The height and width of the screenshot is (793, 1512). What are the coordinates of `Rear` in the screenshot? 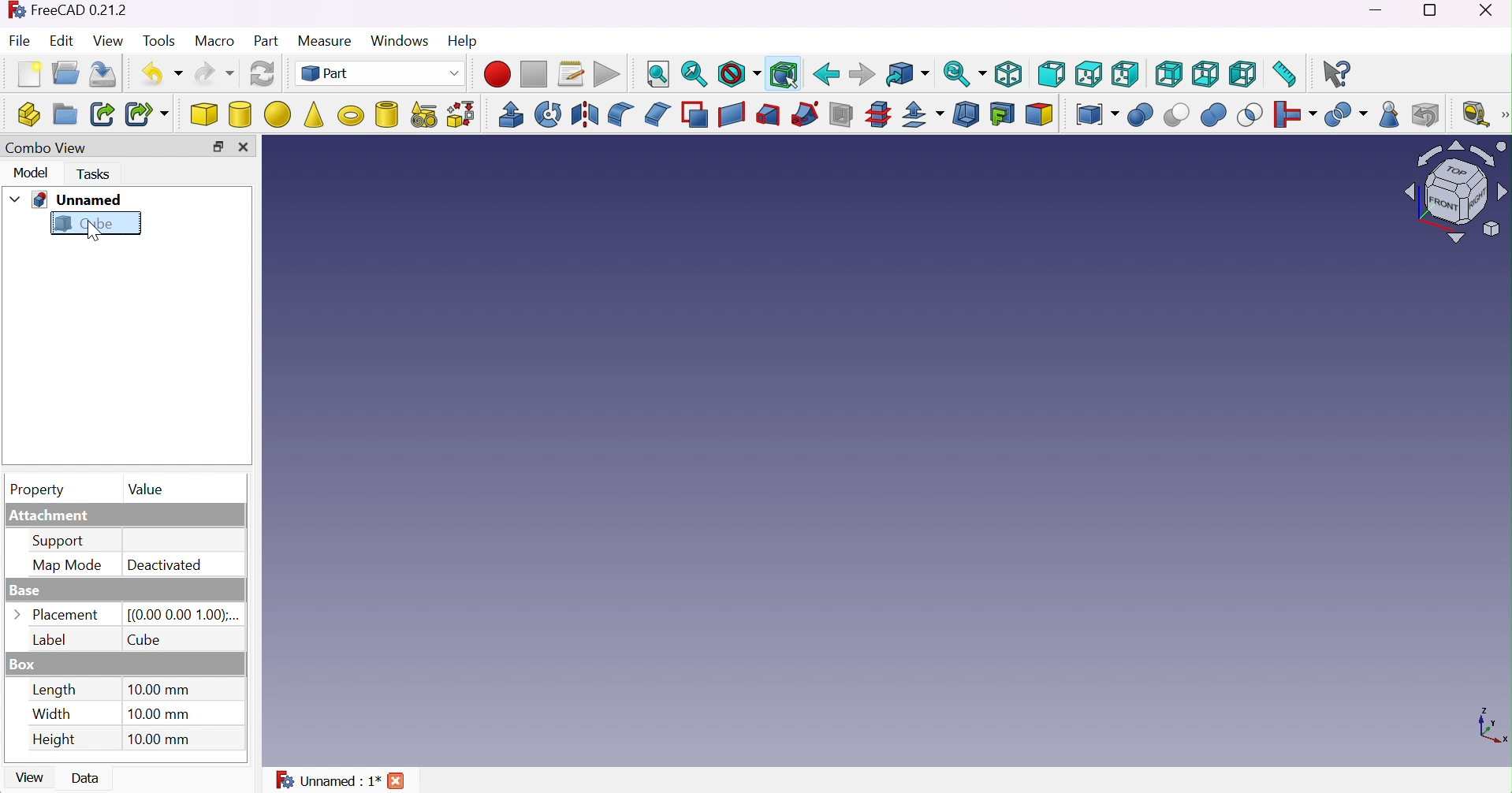 It's located at (1170, 74).